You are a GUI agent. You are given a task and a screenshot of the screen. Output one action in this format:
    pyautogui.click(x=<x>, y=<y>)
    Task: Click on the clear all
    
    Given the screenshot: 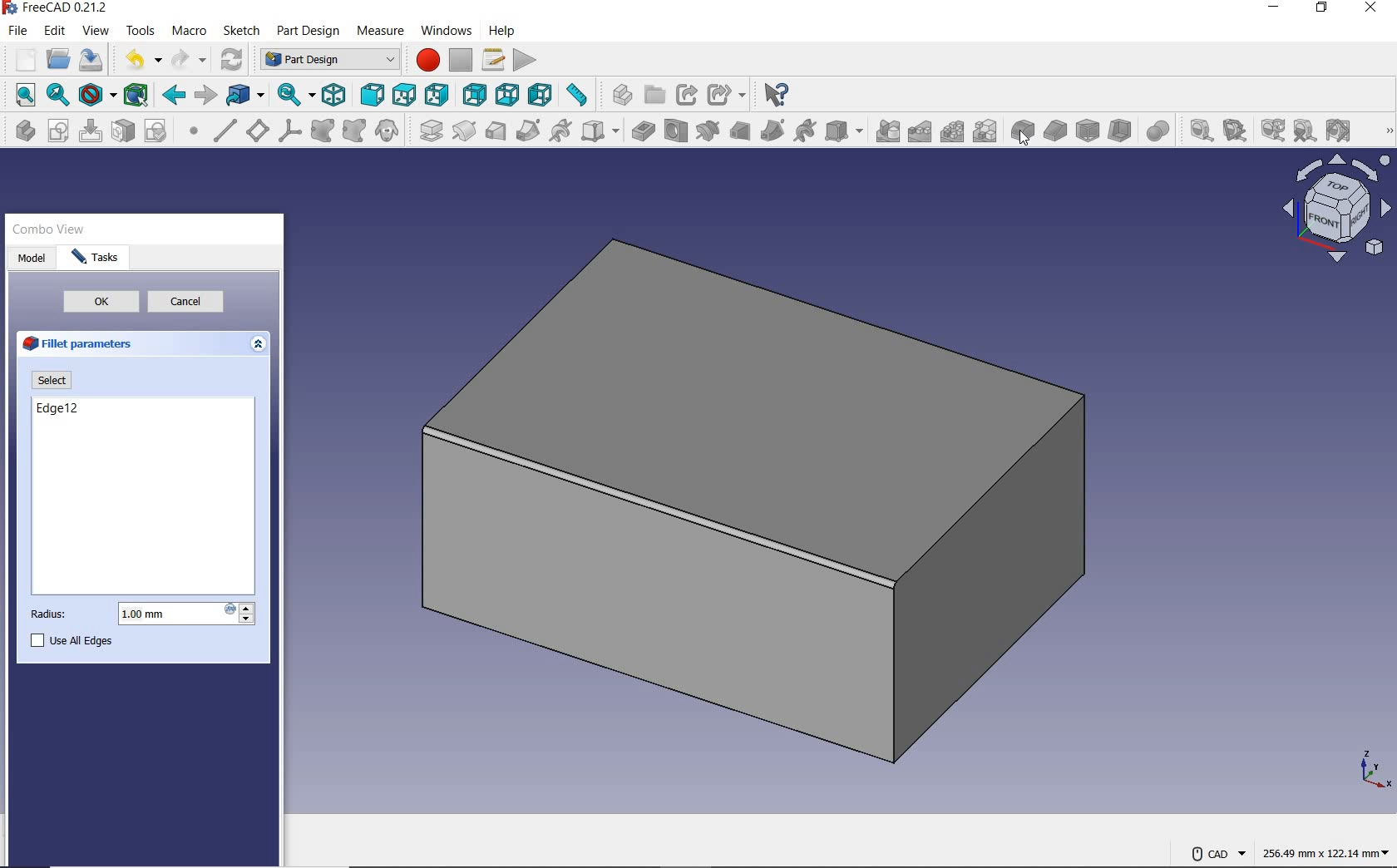 What is the action you would take?
    pyautogui.click(x=1305, y=134)
    